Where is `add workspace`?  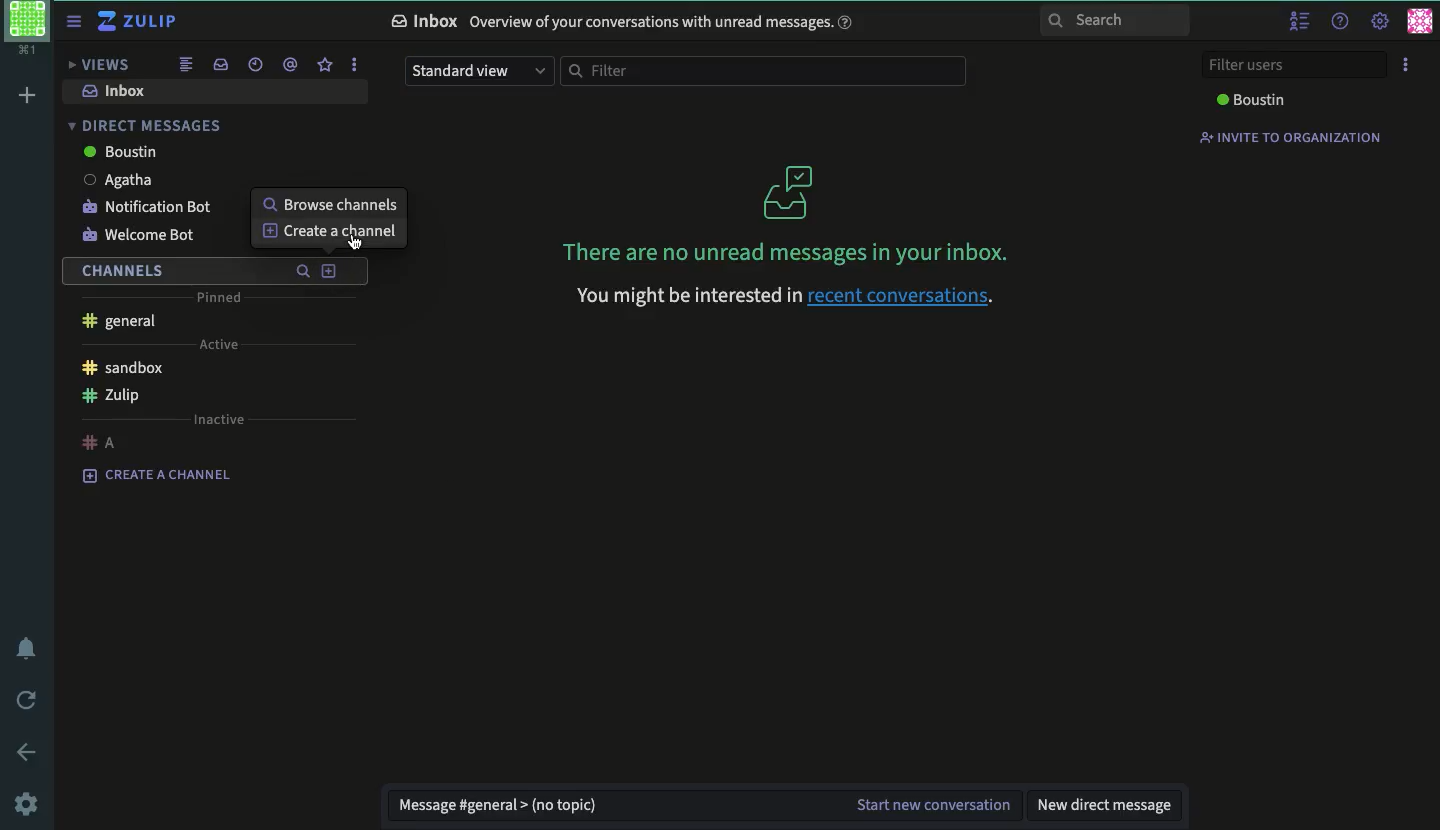 add workspace is located at coordinates (28, 97).